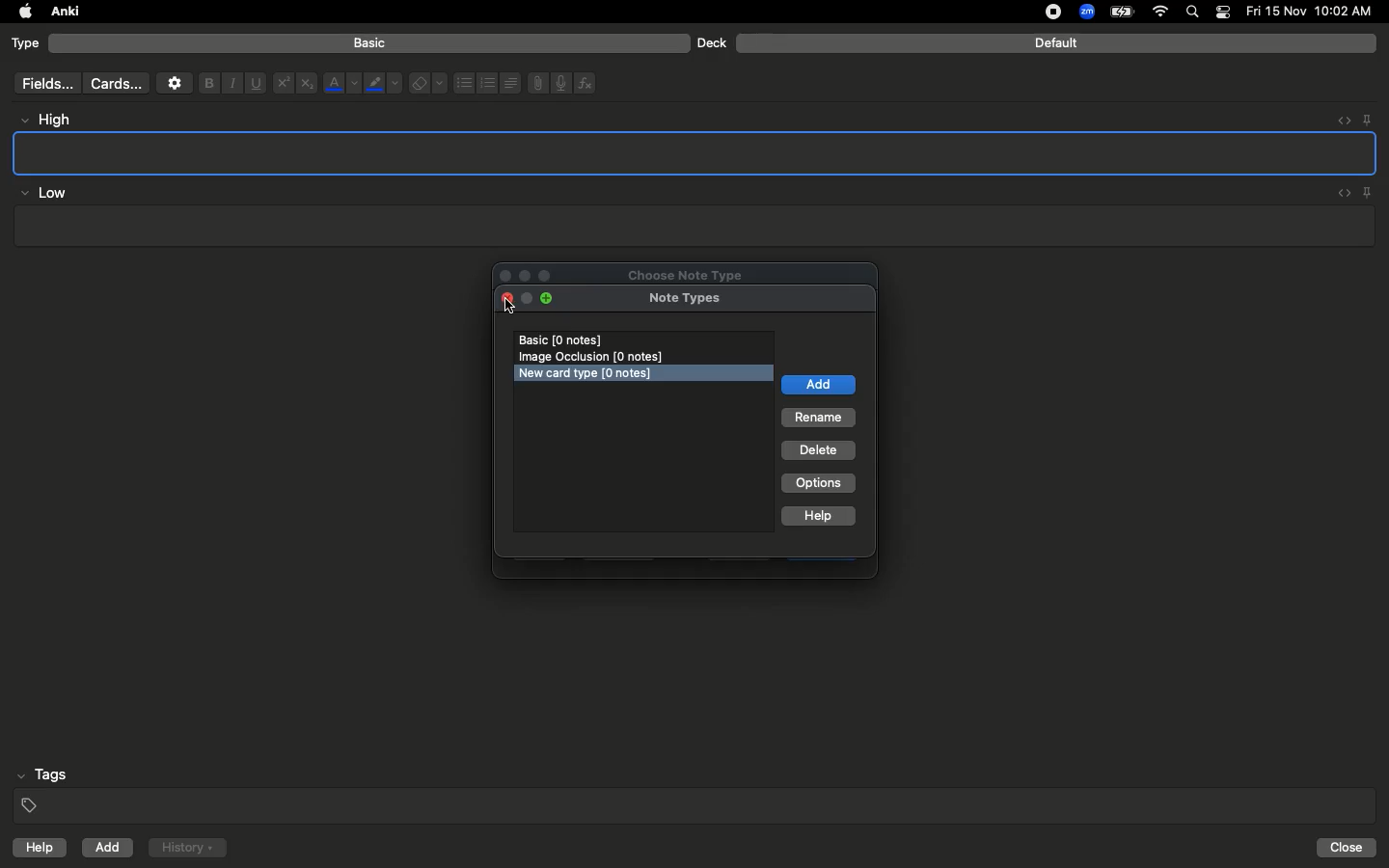 The image size is (1389, 868). Describe the element at coordinates (591, 374) in the screenshot. I see `New card type` at that location.